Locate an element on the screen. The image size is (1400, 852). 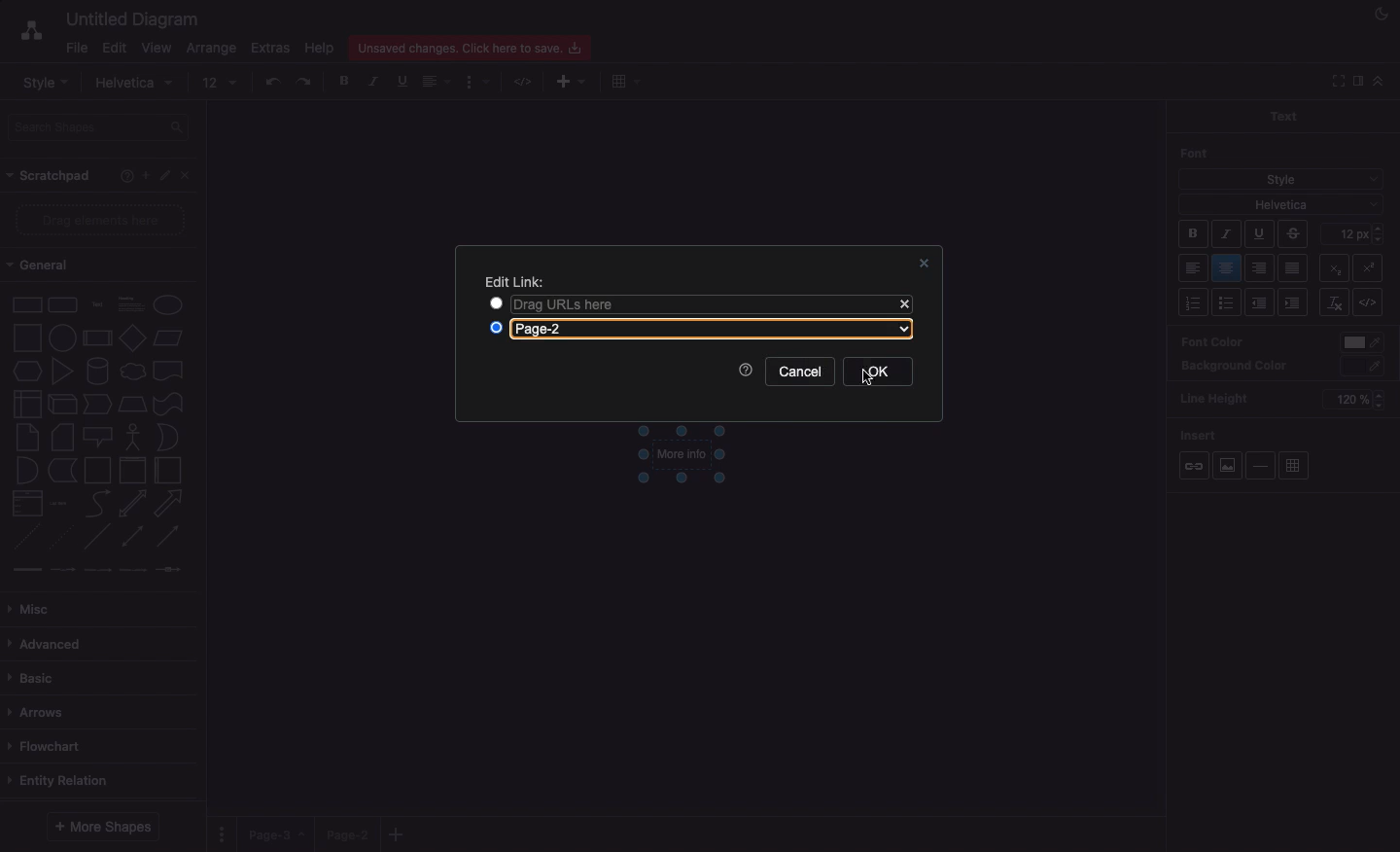
Superscript  is located at coordinates (1333, 266).